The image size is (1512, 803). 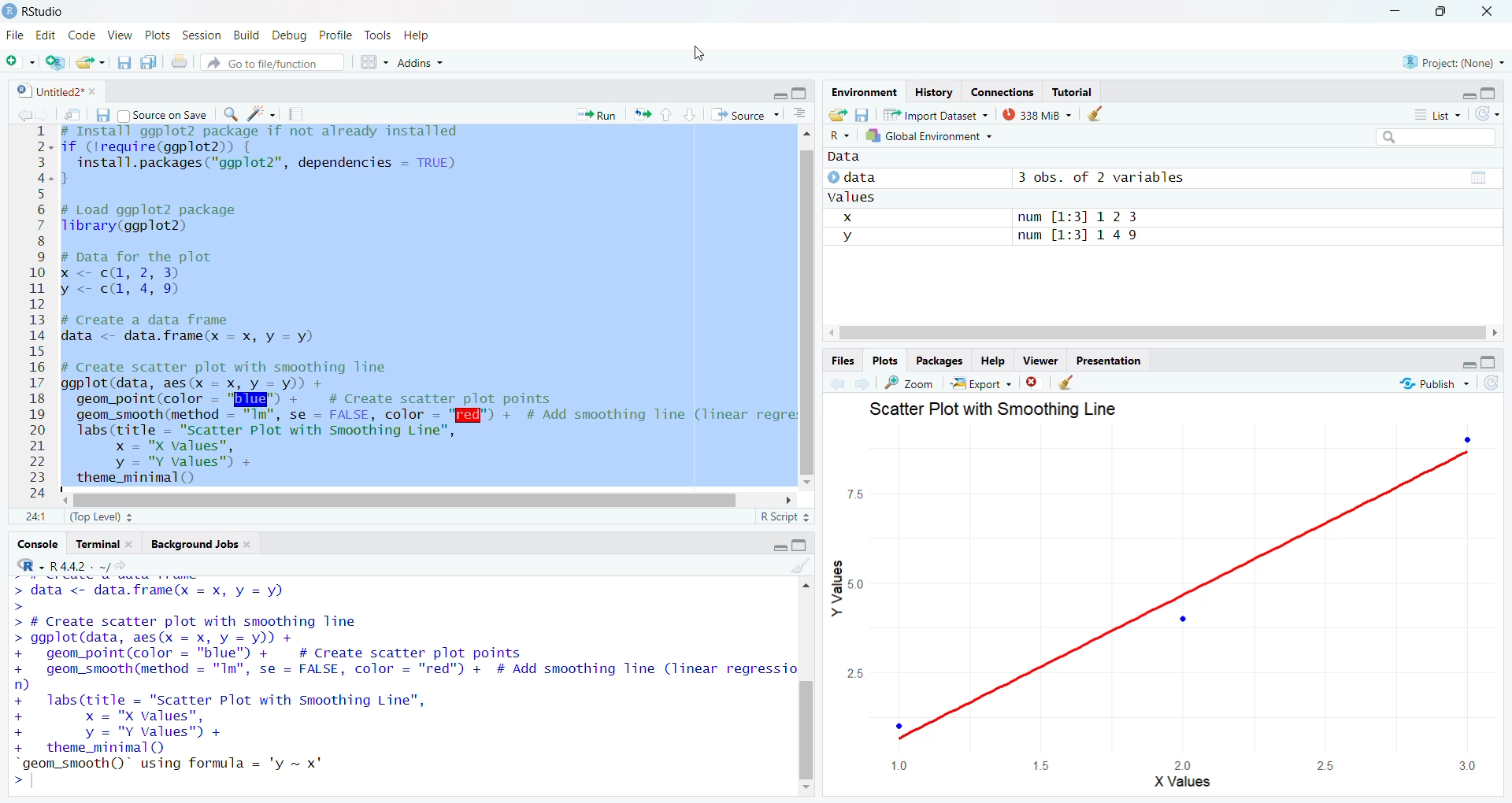 I want to click on scatier Flot with somootning Line, so click(x=1012, y=415).